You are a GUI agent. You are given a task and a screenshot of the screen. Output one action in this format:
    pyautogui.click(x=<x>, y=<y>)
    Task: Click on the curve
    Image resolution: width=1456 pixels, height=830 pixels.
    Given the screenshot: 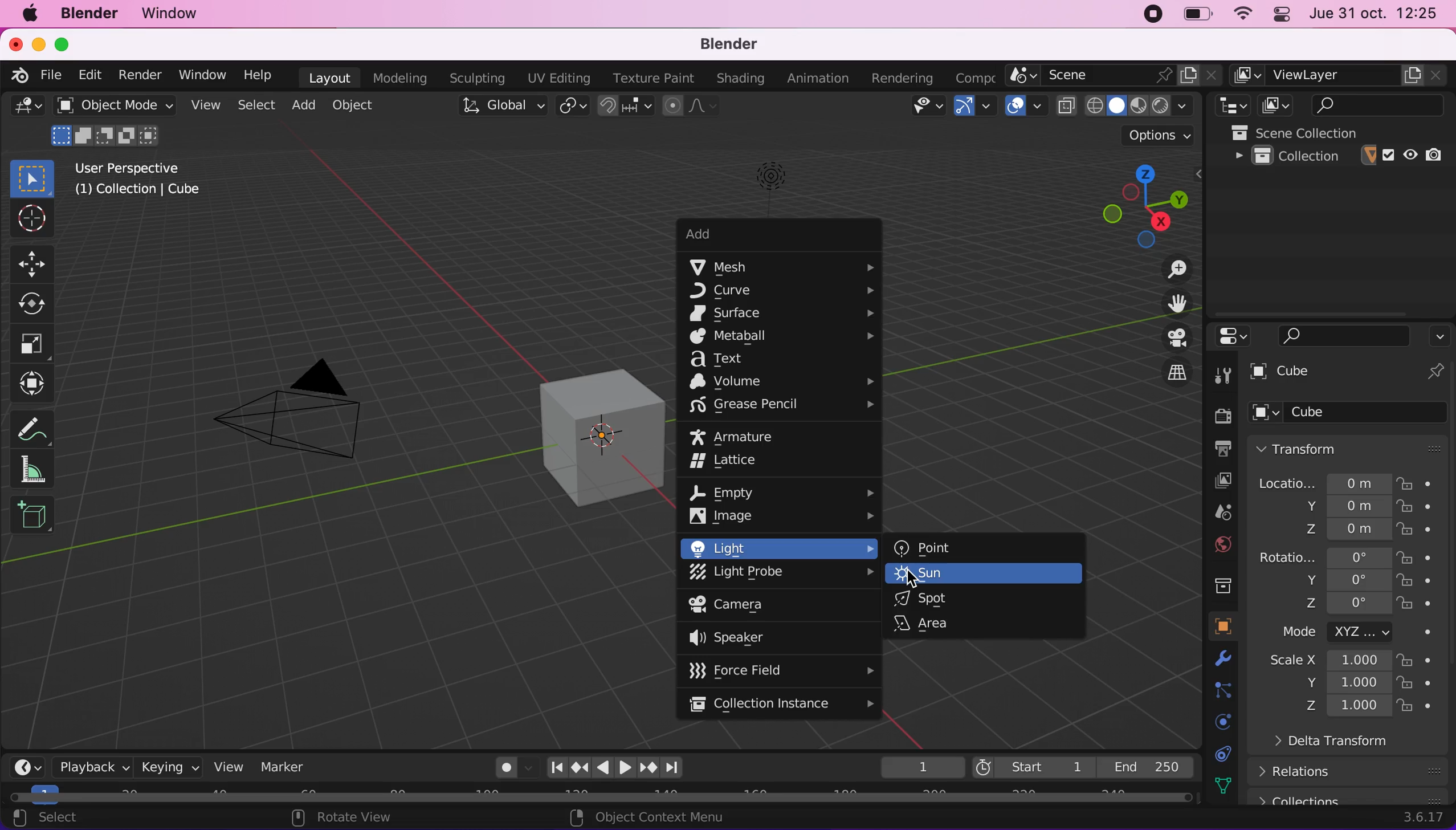 What is the action you would take?
    pyautogui.click(x=785, y=292)
    